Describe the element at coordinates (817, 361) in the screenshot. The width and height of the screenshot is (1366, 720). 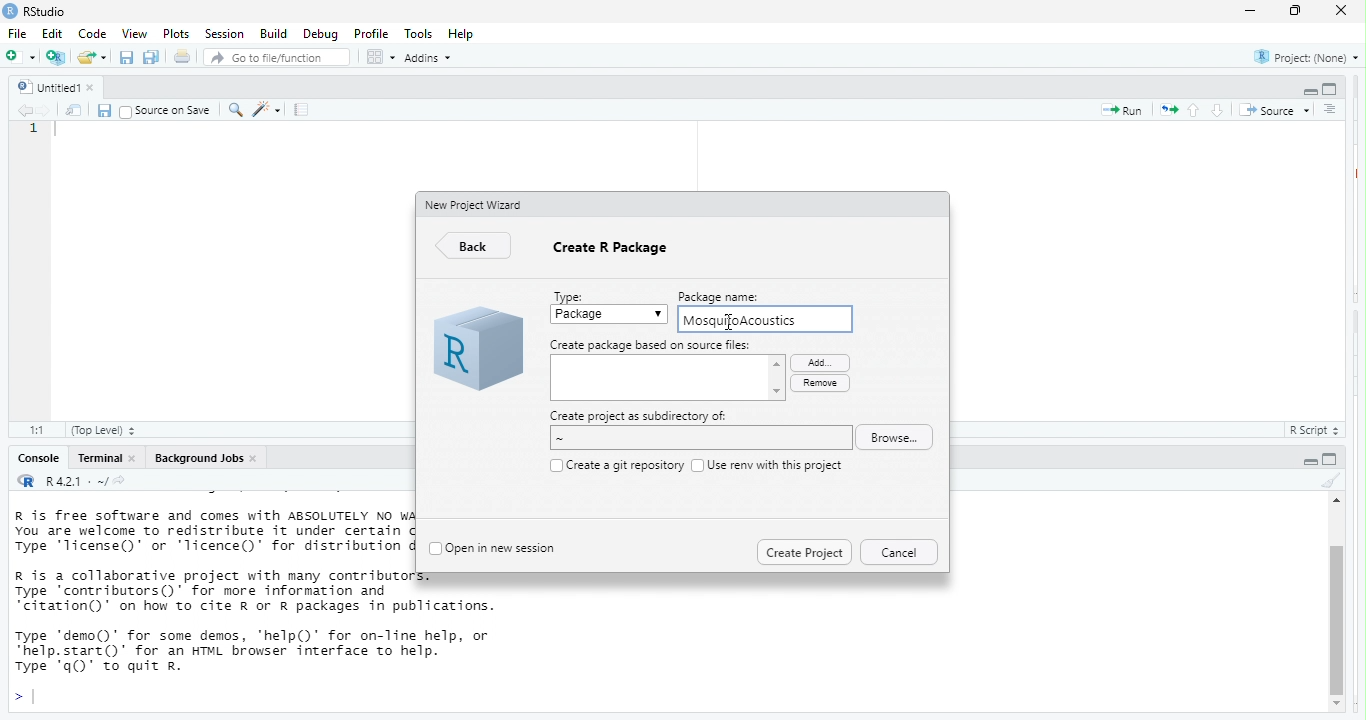
I see ` Add.` at that location.